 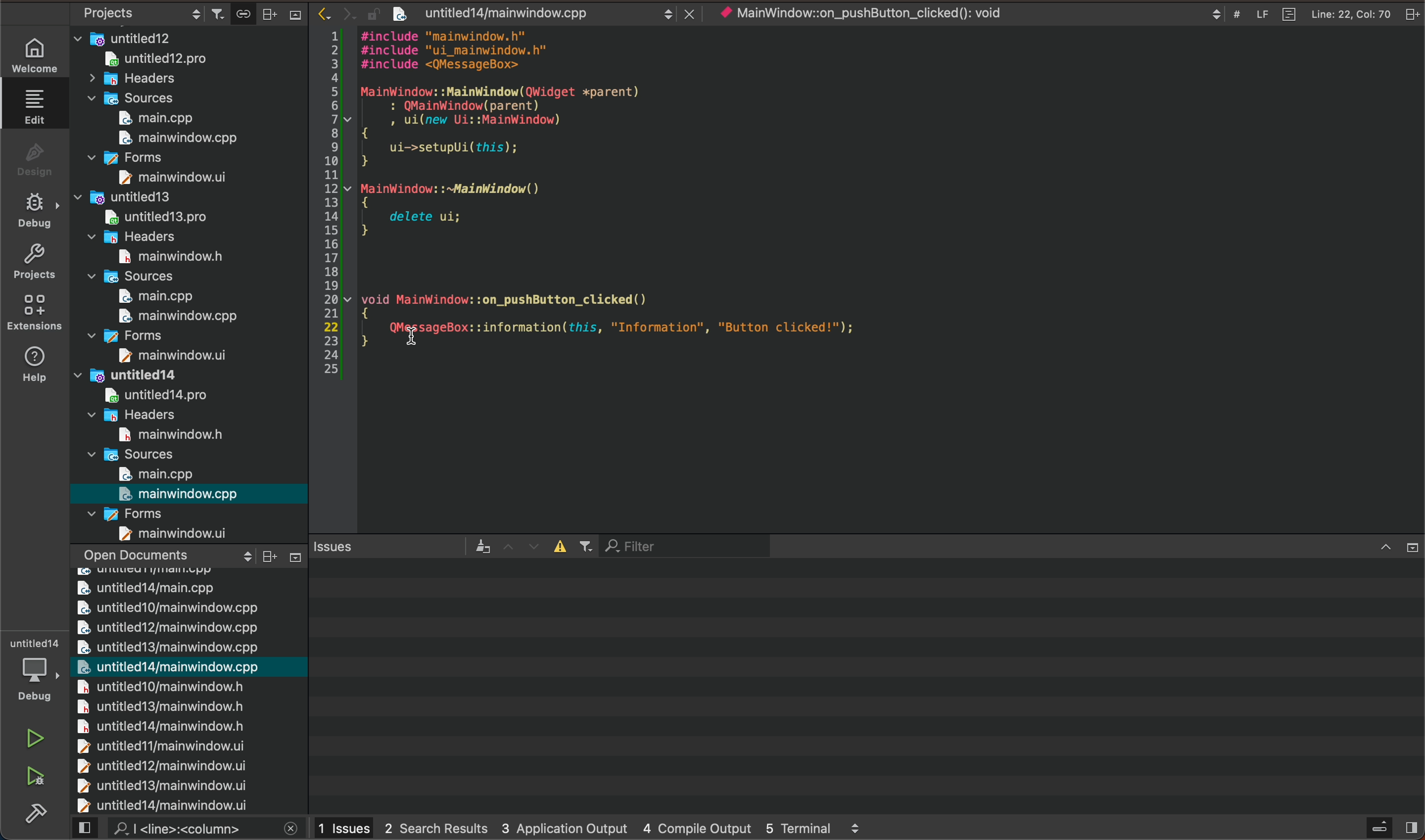 What do you see at coordinates (170, 138) in the screenshot?
I see `main window.cpp` at bounding box center [170, 138].